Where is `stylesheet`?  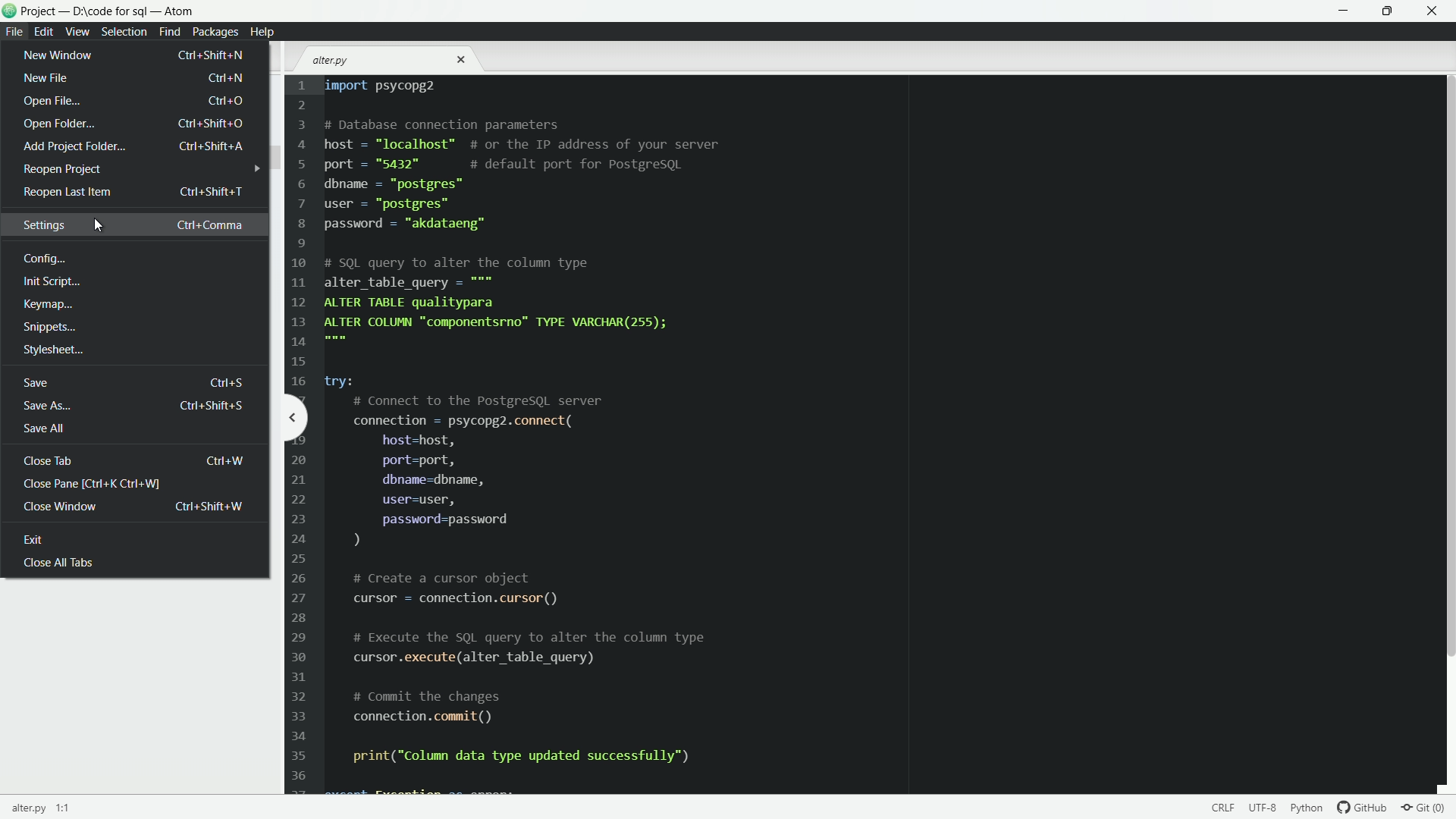
stylesheet is located at coordinates (52, 351).